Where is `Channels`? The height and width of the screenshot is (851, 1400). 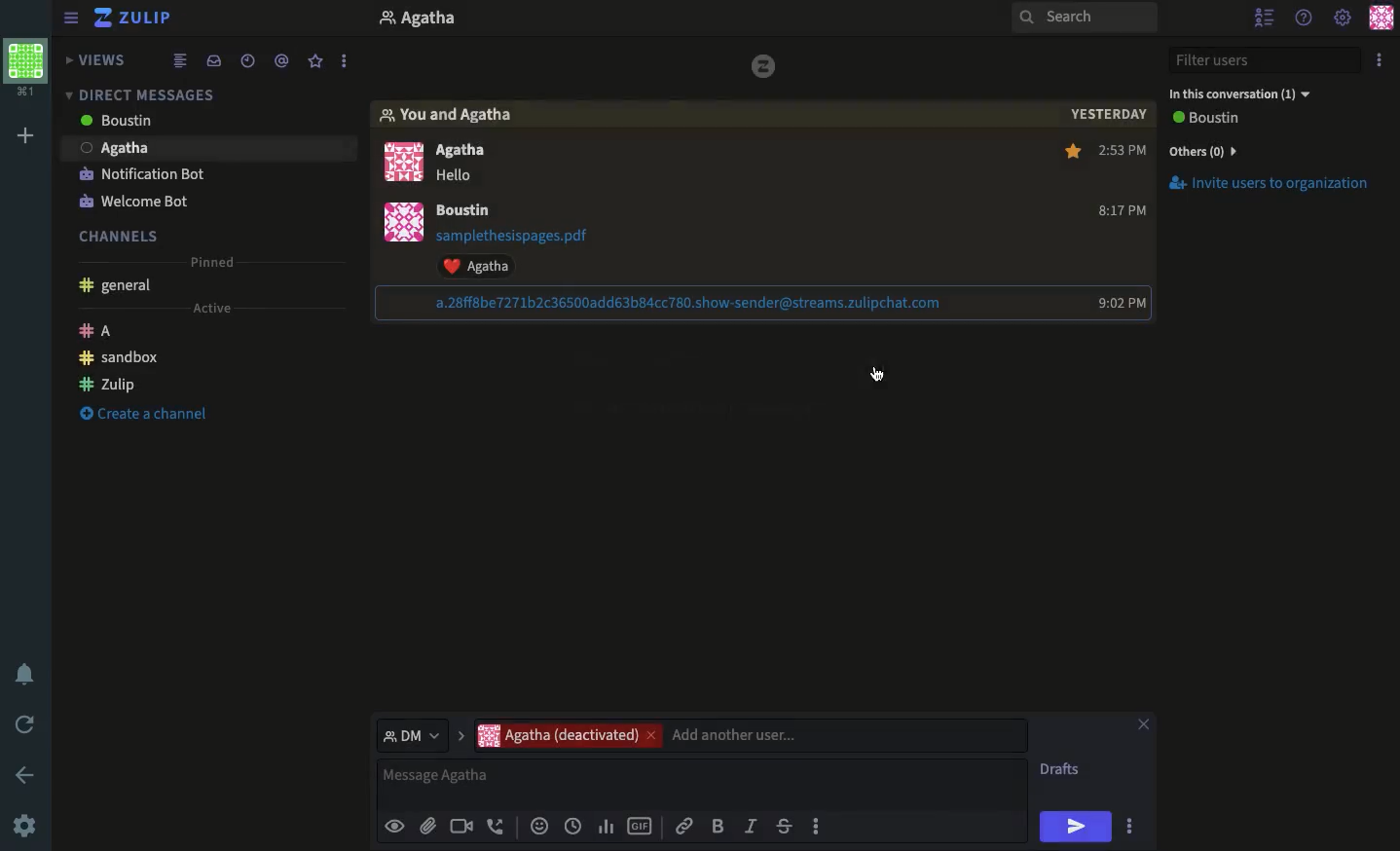
Channels is located at coordinates (126, 234).